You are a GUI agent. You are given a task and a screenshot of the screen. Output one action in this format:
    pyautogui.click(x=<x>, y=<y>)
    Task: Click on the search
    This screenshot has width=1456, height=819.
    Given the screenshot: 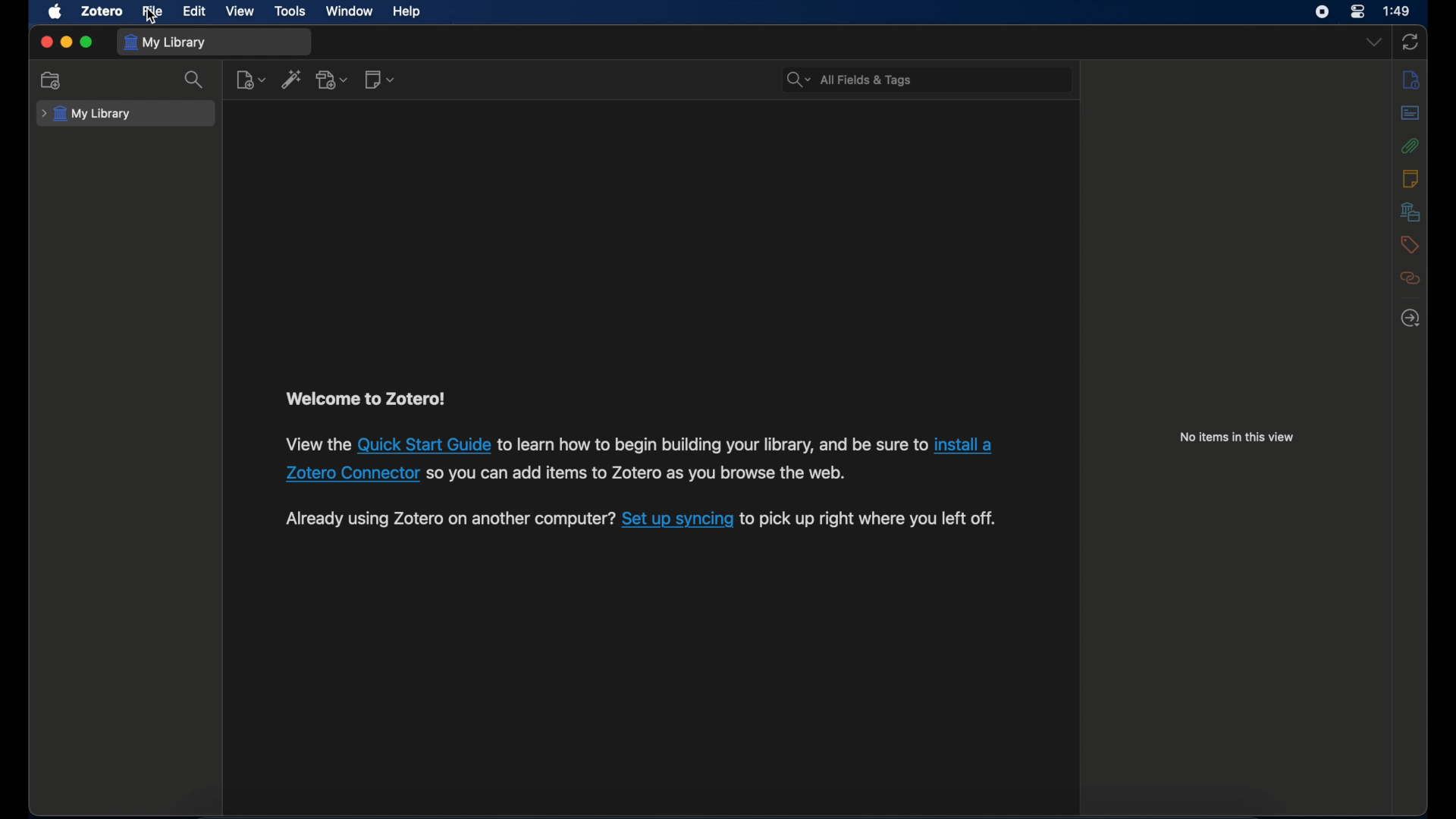 What is the action you would take?
    pyautogui.click(x=193, y=80)
    